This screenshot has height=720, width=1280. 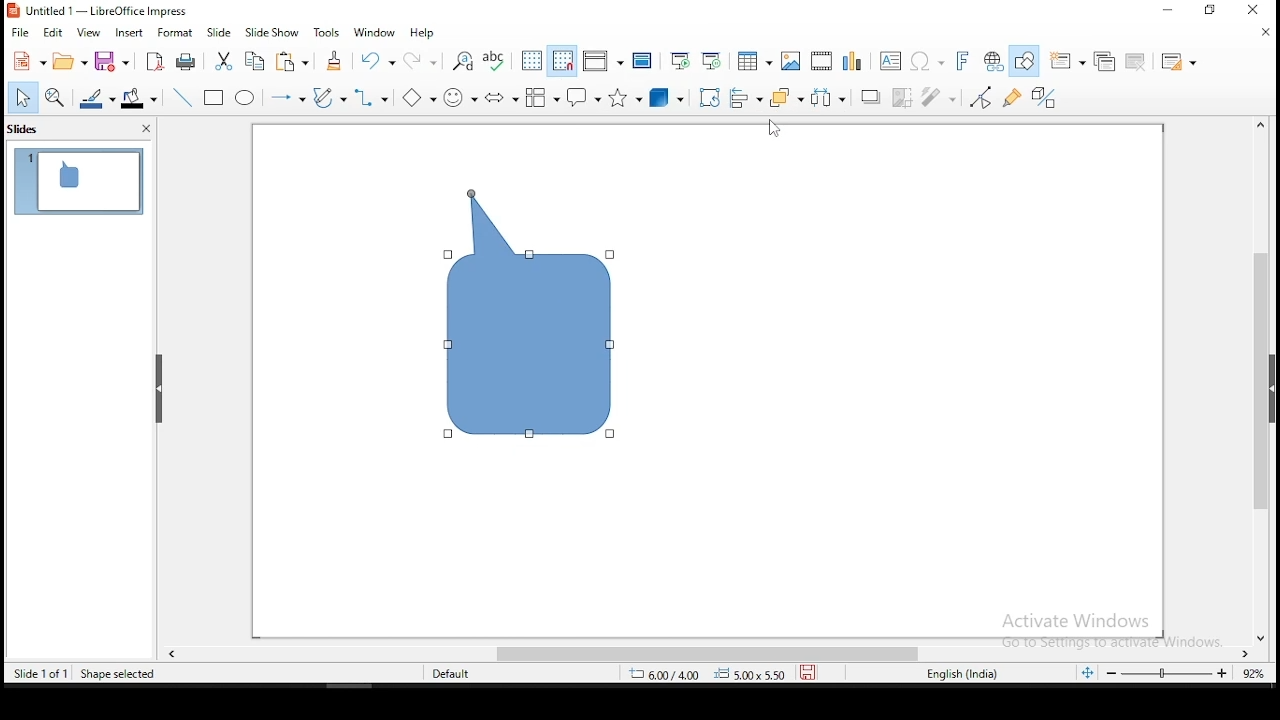 What do you see at coordinates (27, 60) in the screenshot?
I see `new` at bounding box center [27, 60].